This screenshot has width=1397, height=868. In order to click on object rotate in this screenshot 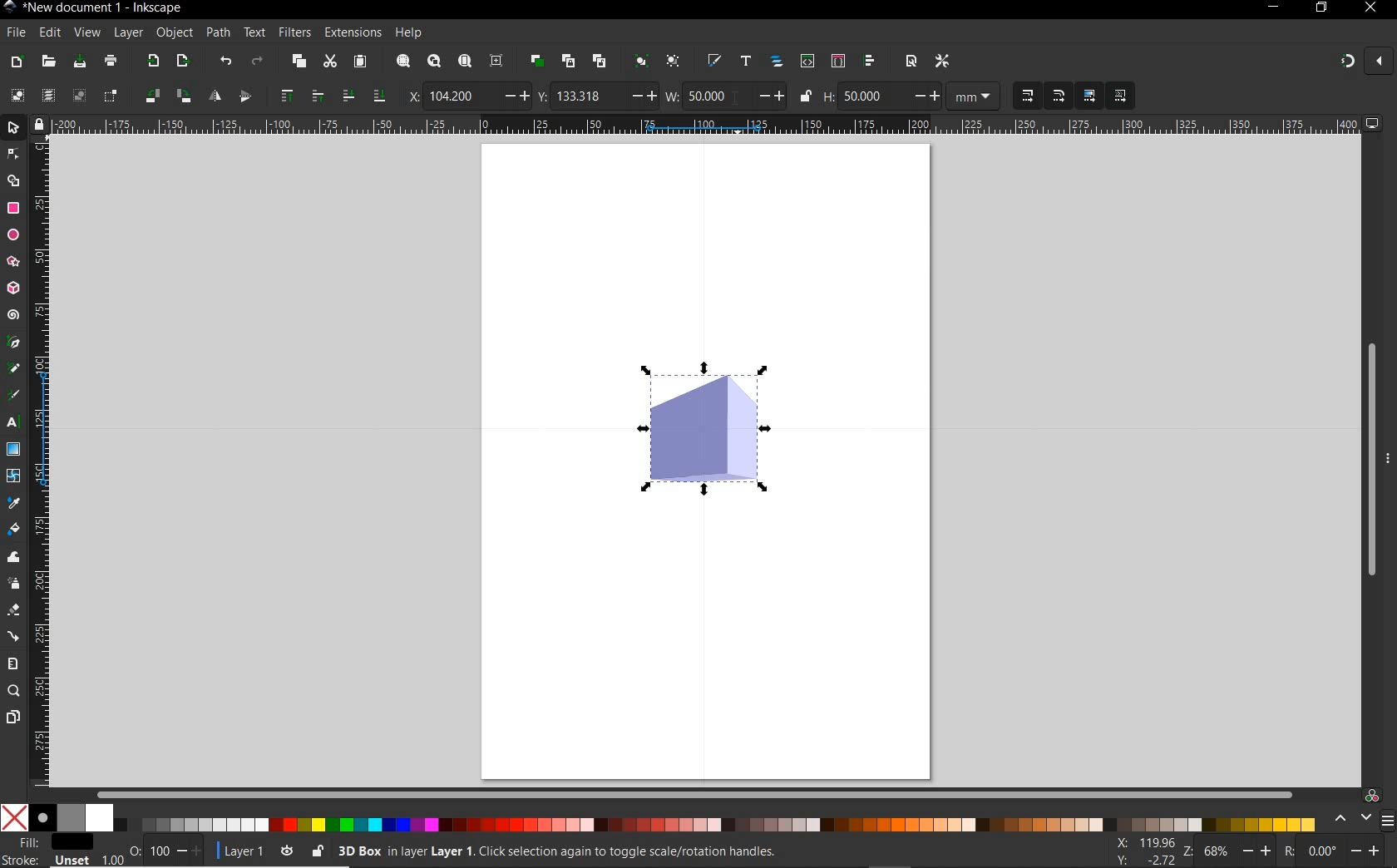, I will do `click(151, 96)`.